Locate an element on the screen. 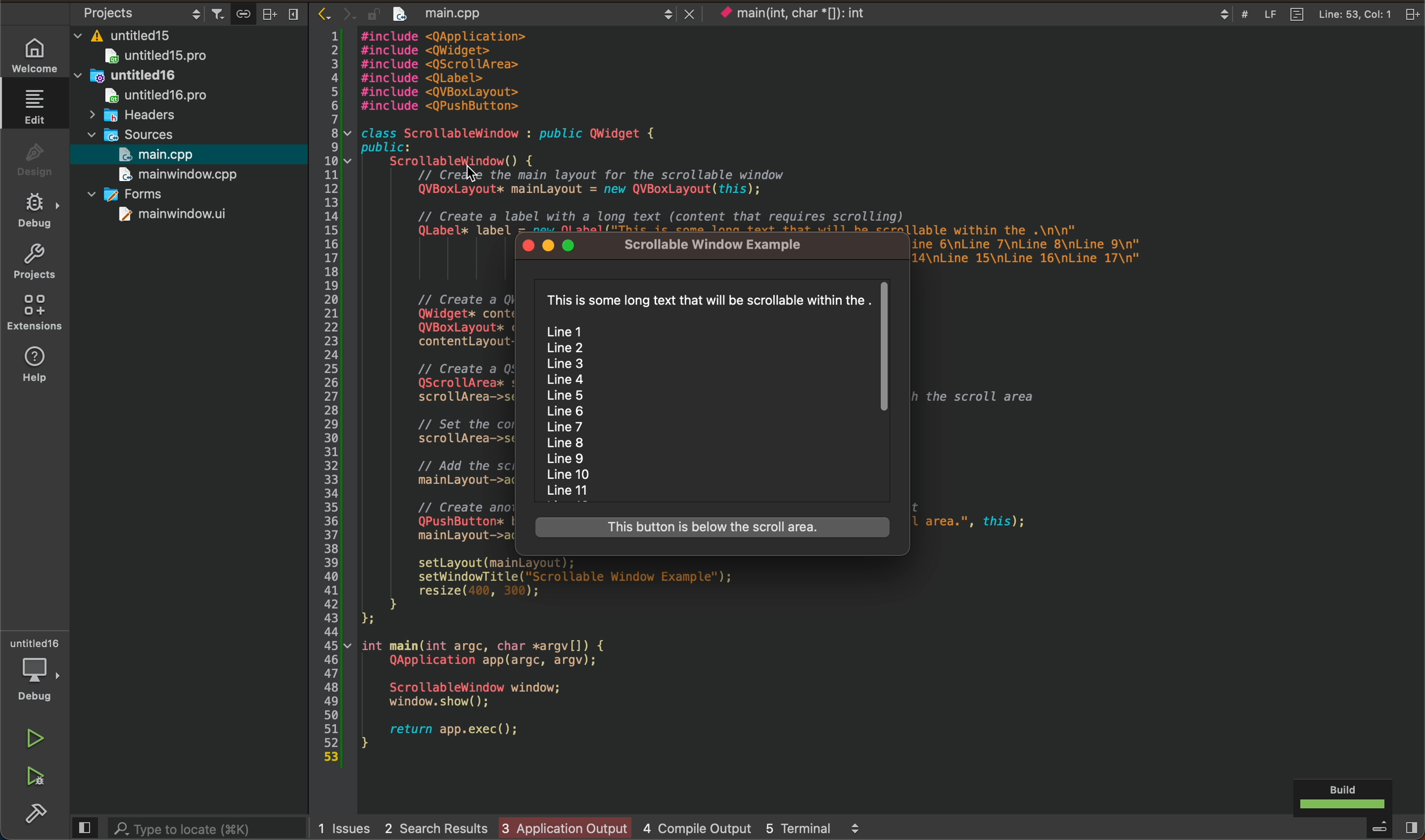 Image resolution: width=1425 pixels, height=840 pixels. WELCOME is located at coordinates (35, 53).